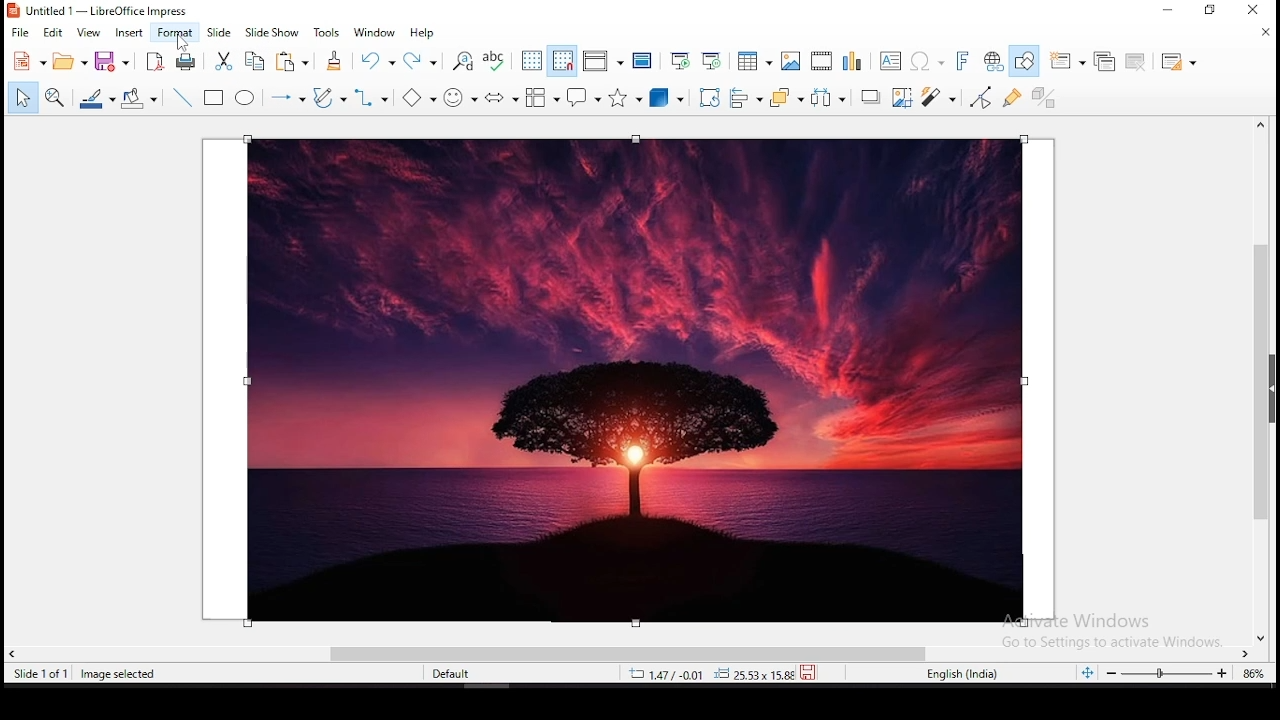 The width and height of the screenshot is (1280, 720). What do you see at coordinates (18, 33) in the screenshot?
I see `file` at bounding box center [18, 33].